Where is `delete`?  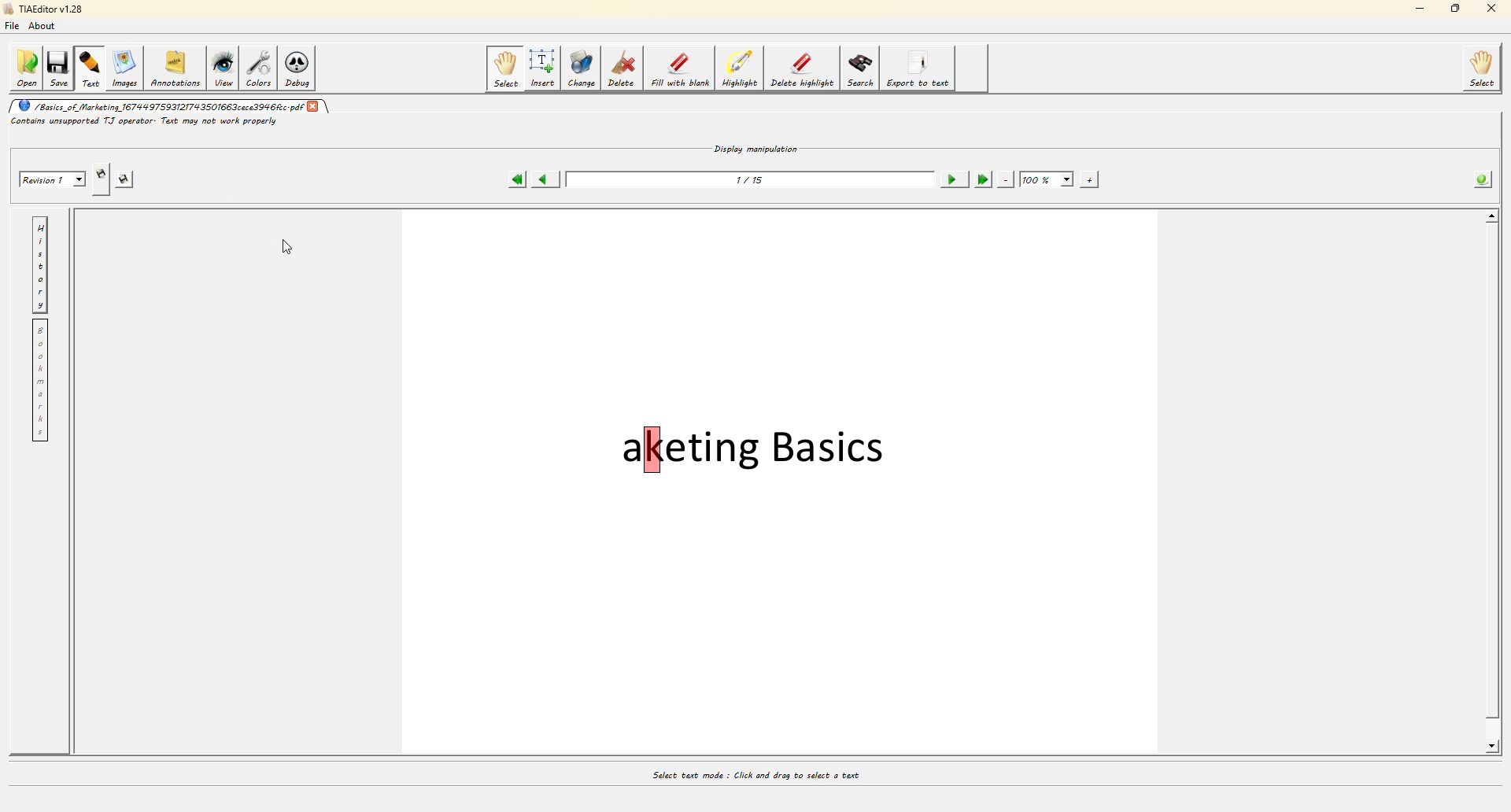 delete is located at coordinates (622, 68).